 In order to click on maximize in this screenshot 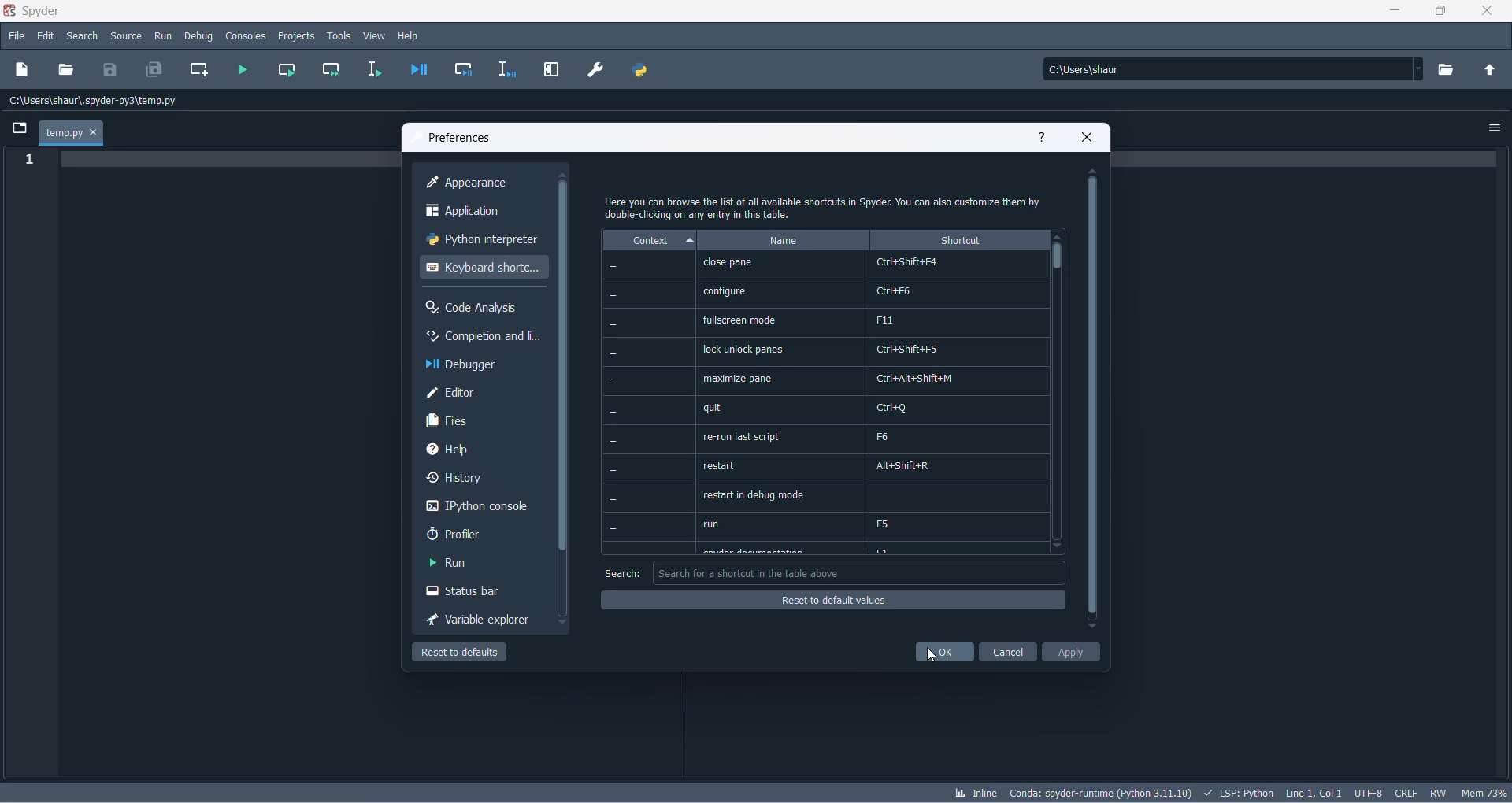, I will do `click(1440, 12)`.